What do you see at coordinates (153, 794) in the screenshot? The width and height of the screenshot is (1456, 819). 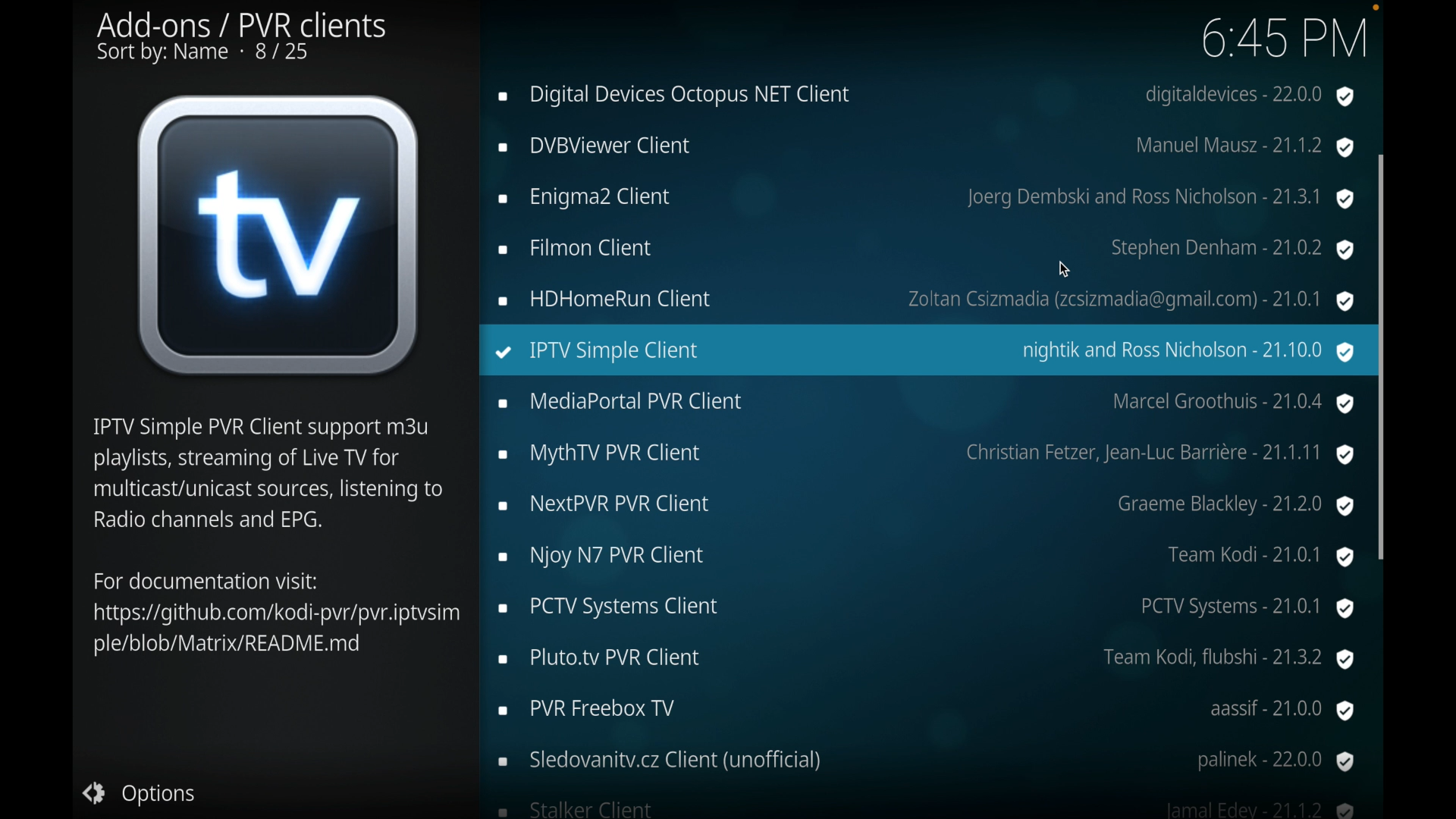 I see `options` at bounding box center [153, 794].